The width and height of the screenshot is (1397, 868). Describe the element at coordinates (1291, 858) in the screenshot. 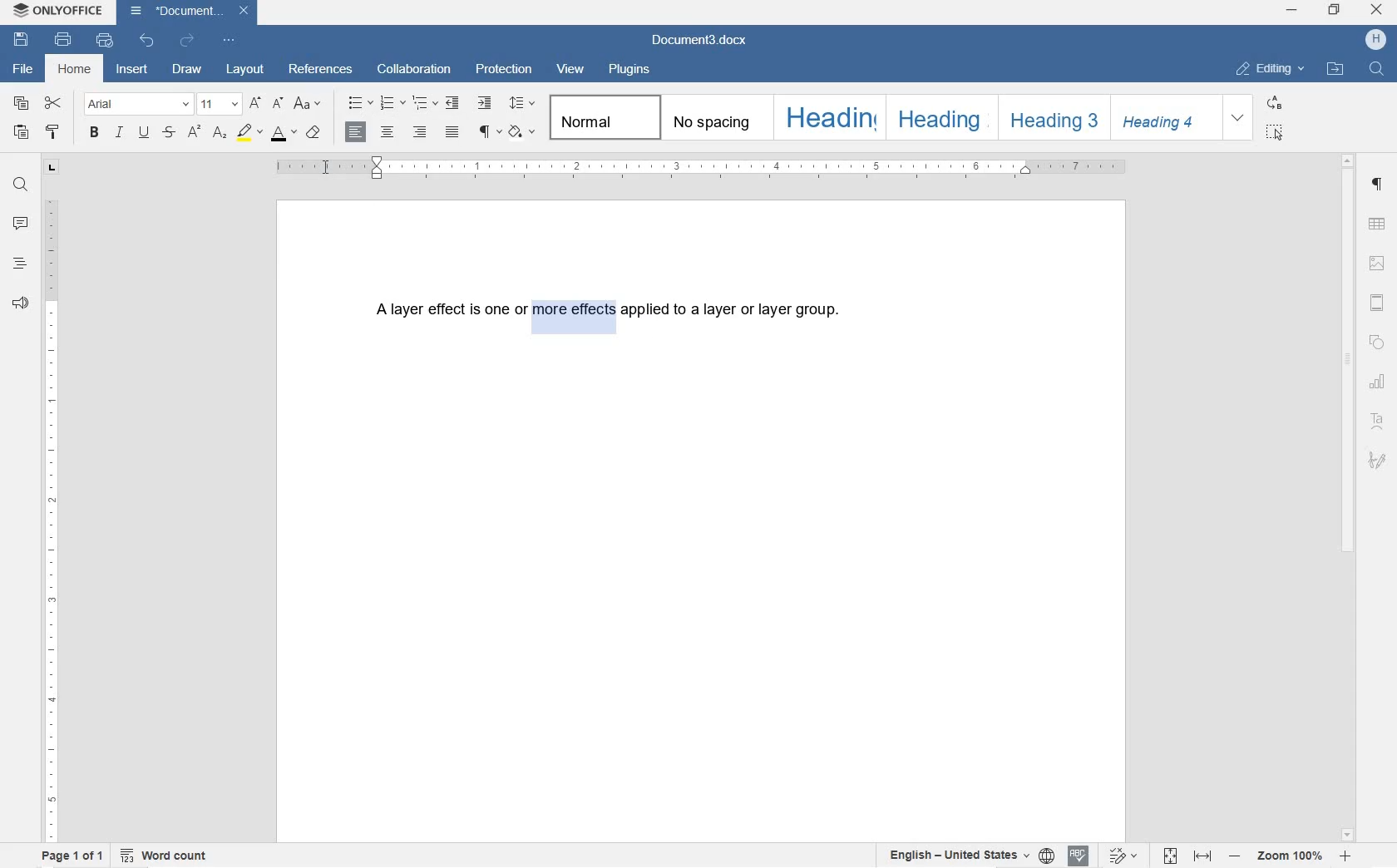

I see `ZOOM IN OR OUT` at that location.